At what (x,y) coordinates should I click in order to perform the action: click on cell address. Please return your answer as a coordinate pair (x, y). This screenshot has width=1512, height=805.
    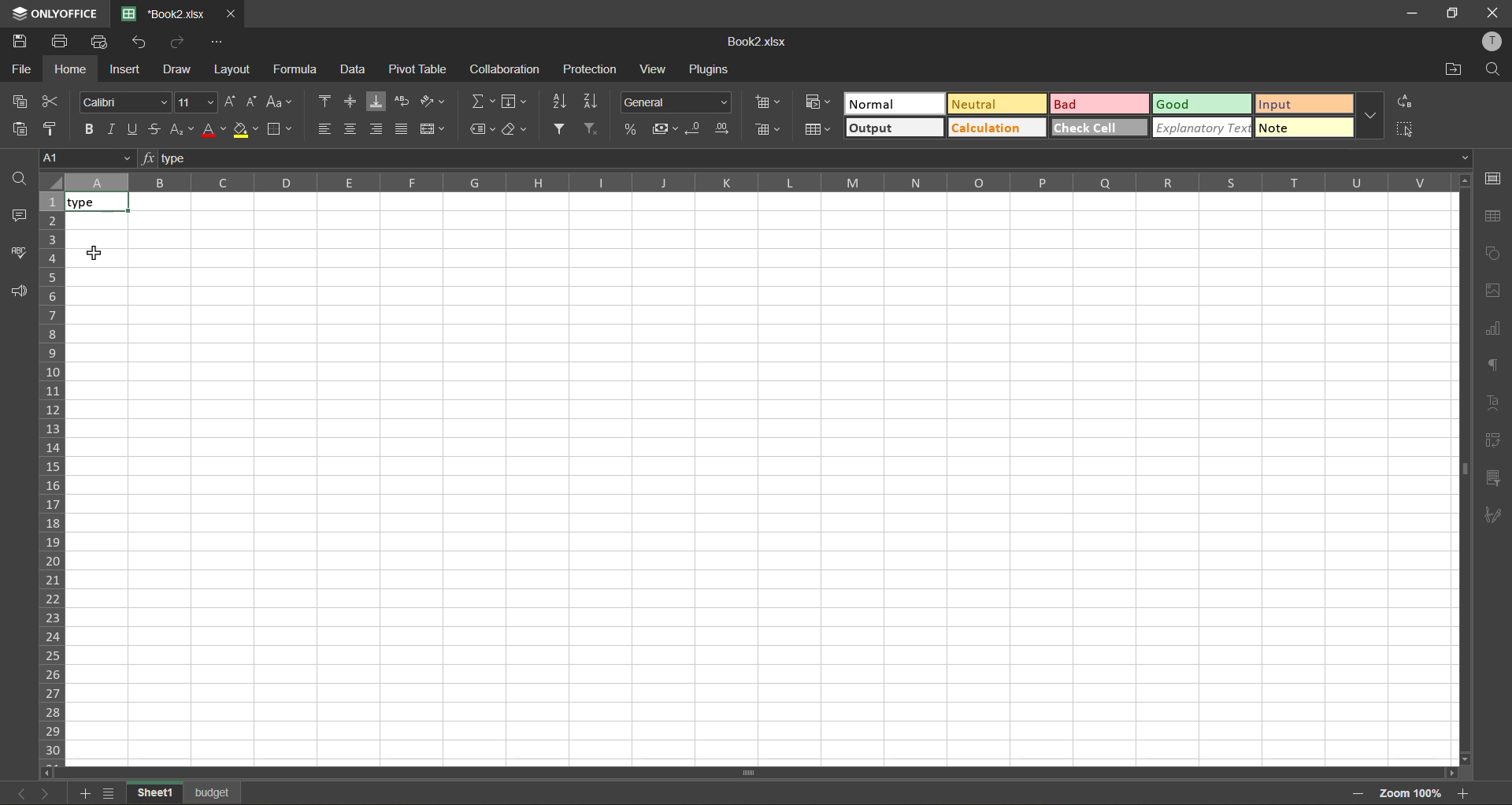
    Looking at the image, I should click on (85, 158).